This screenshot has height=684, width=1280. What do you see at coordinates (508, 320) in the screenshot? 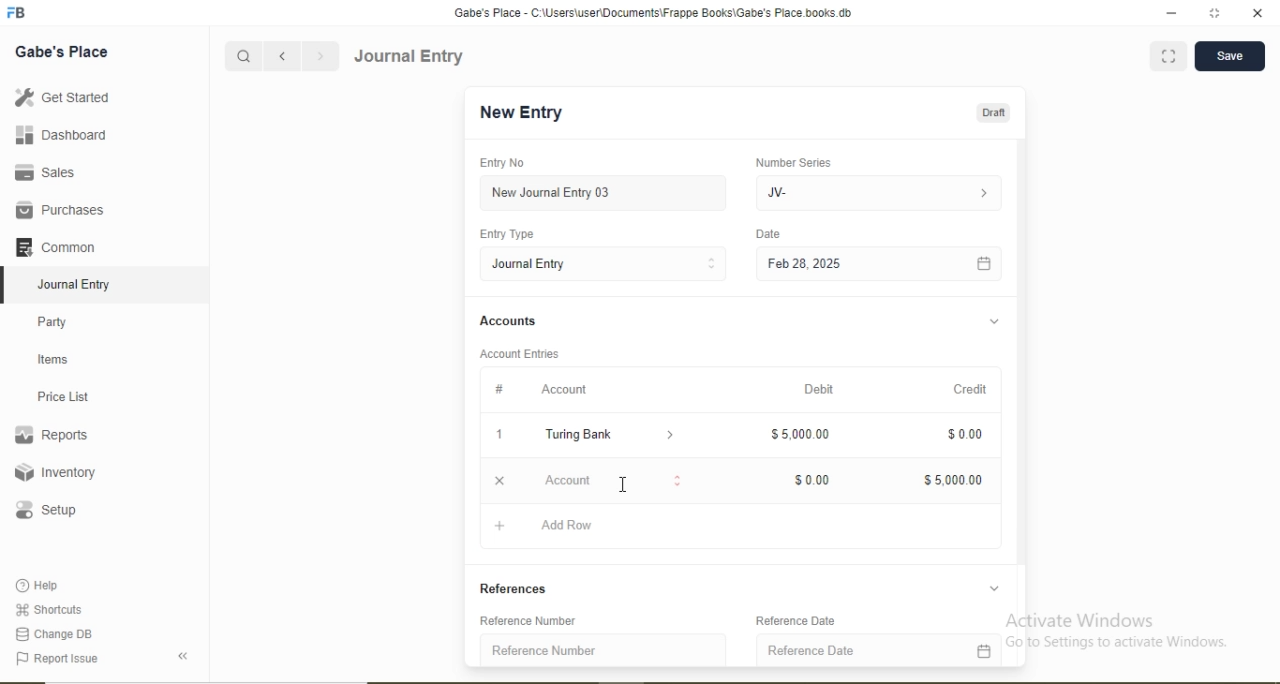
I see `Accounts` at bounding box center [508, 320].